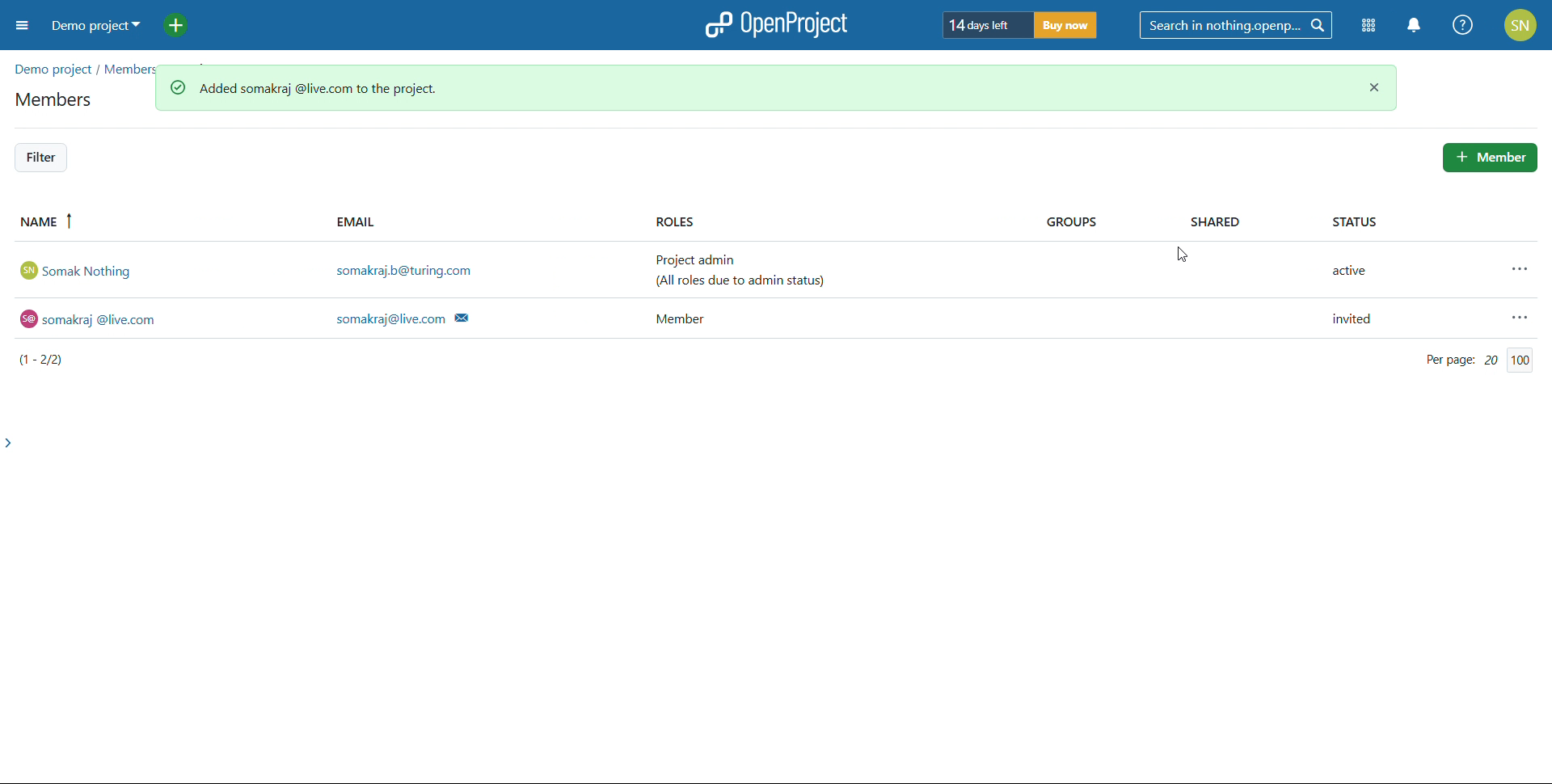 This screenshot has height=784, width=1552. Describe the element at coordinates (1372, 88) in the screenshot. I see `close notification` at that location.